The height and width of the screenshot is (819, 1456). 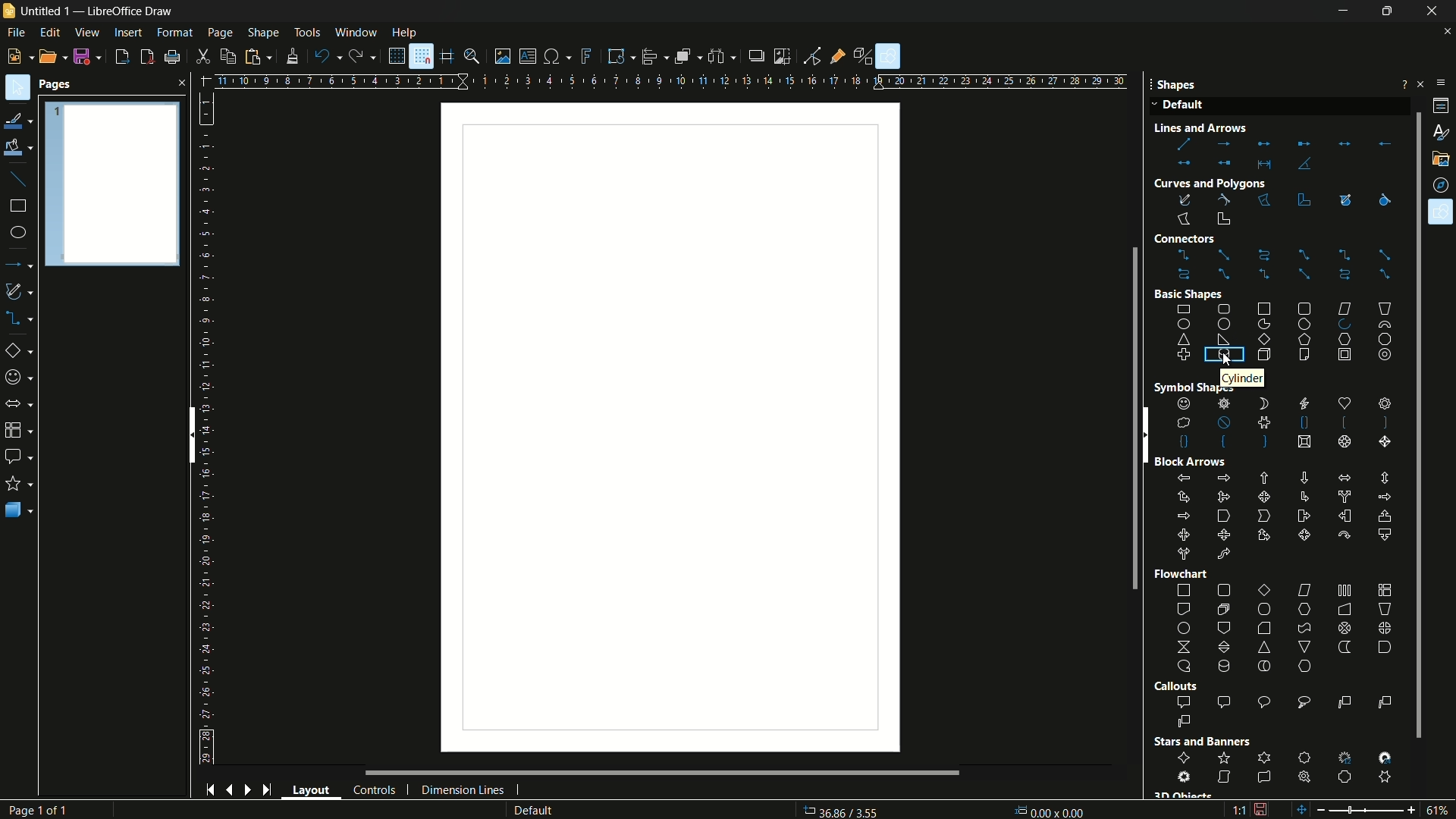 I want to click on scroll bar, so click(x=1411, y=423).